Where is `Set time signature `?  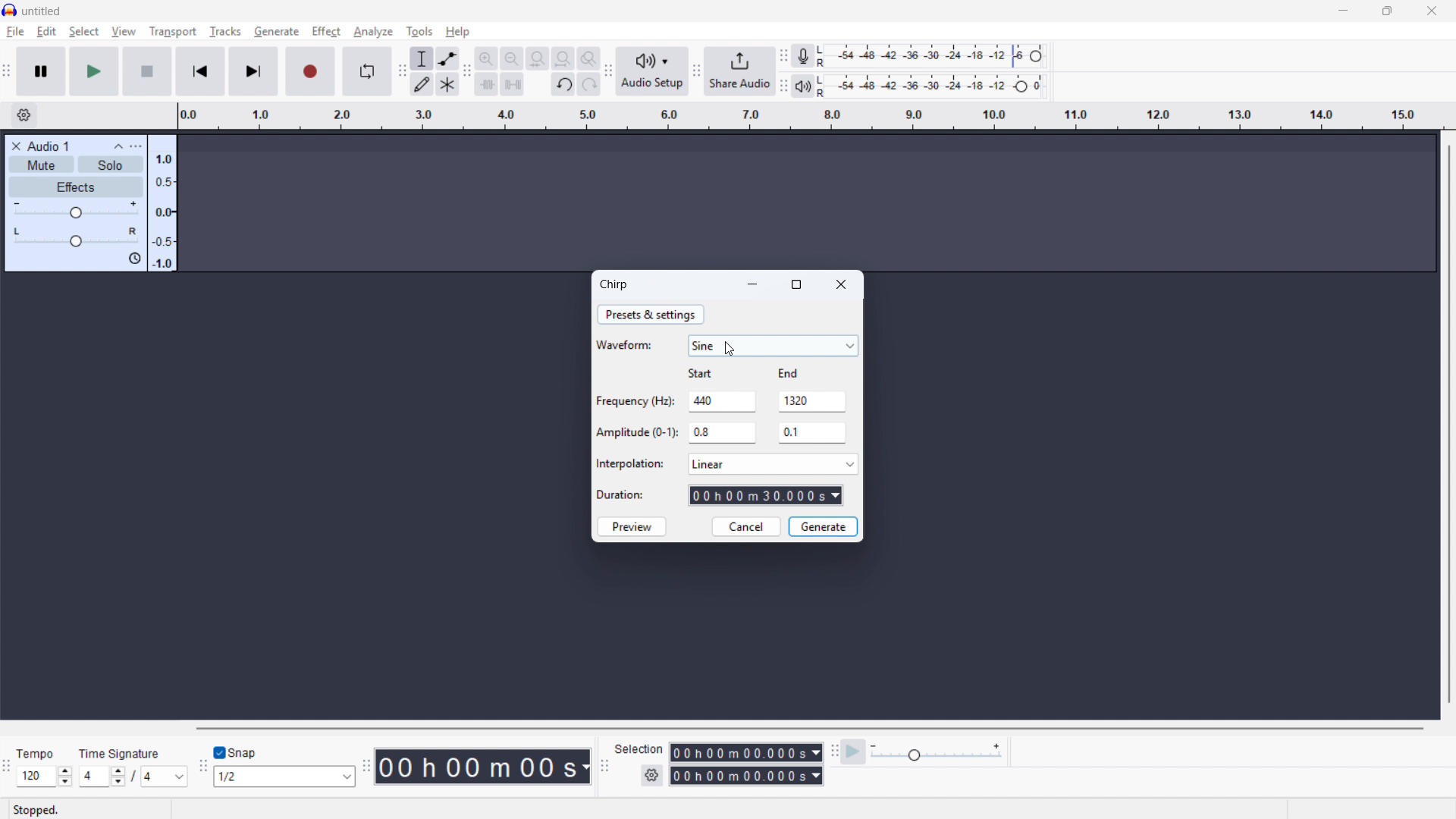
Set time signature  is located at coordinates (136, 777).